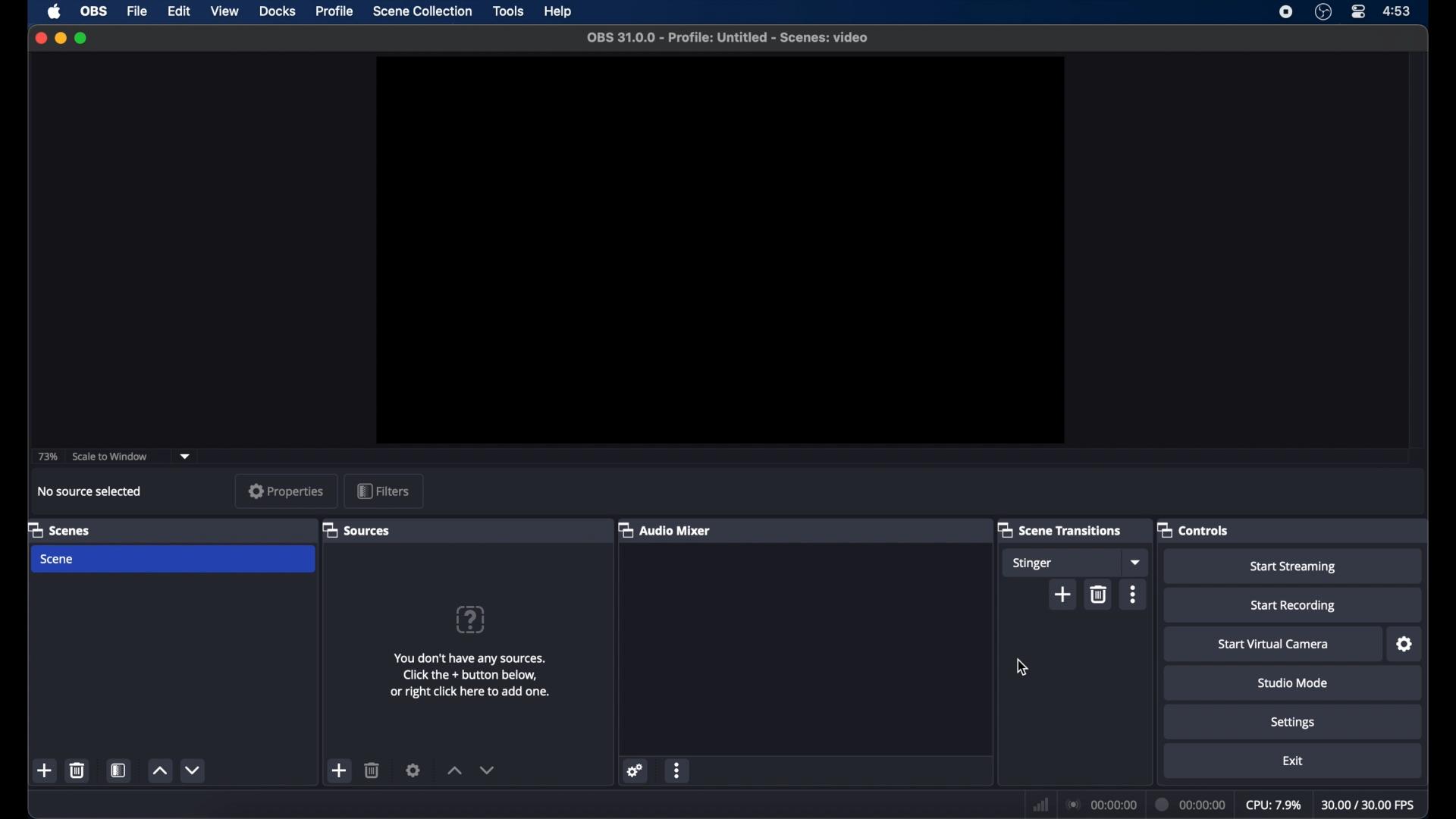 The image size is (1456, 819). I want to click on sources, so click(356, 529).